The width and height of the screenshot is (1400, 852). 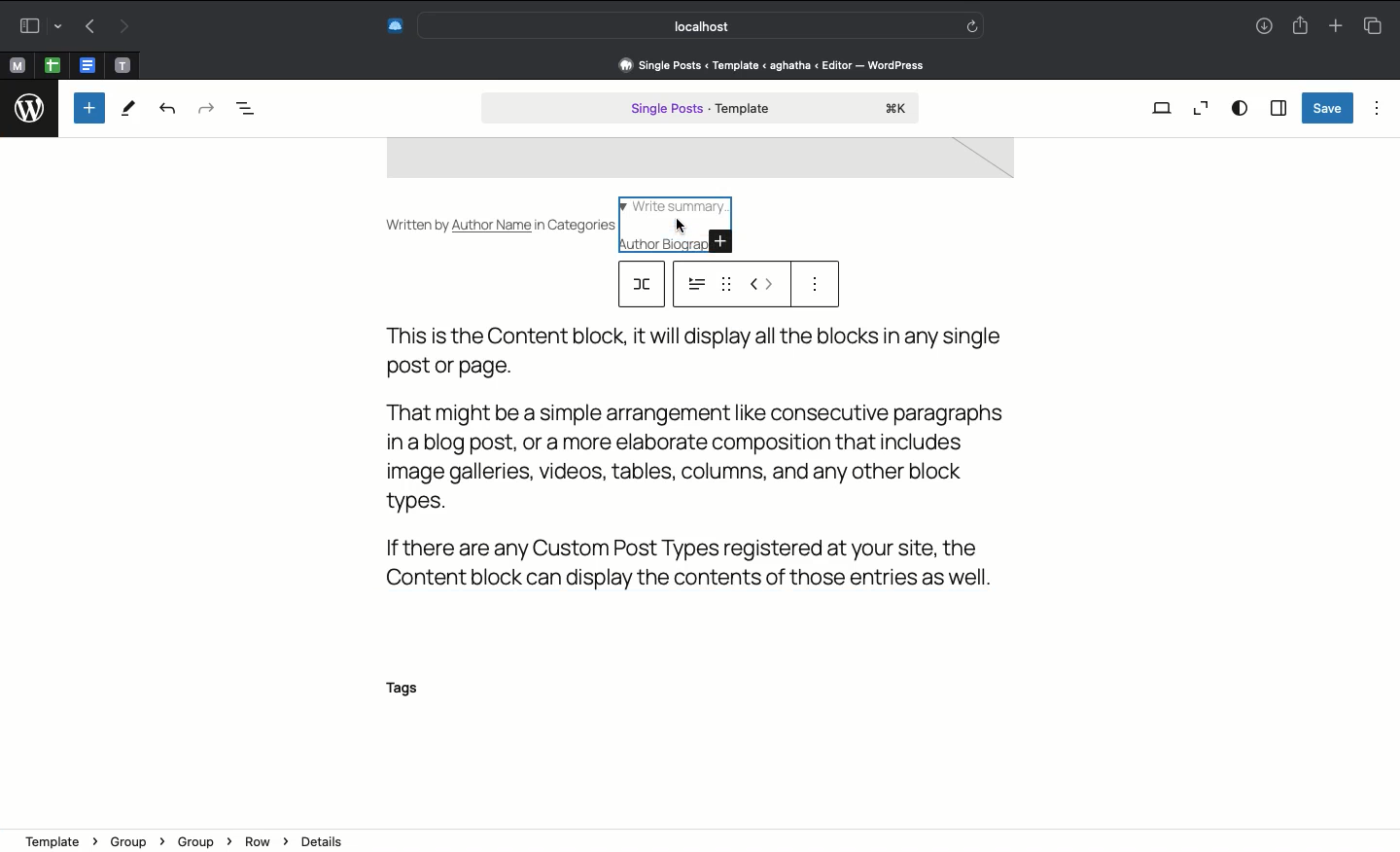 I want to click on Write summary, so click(x=676, y=210).